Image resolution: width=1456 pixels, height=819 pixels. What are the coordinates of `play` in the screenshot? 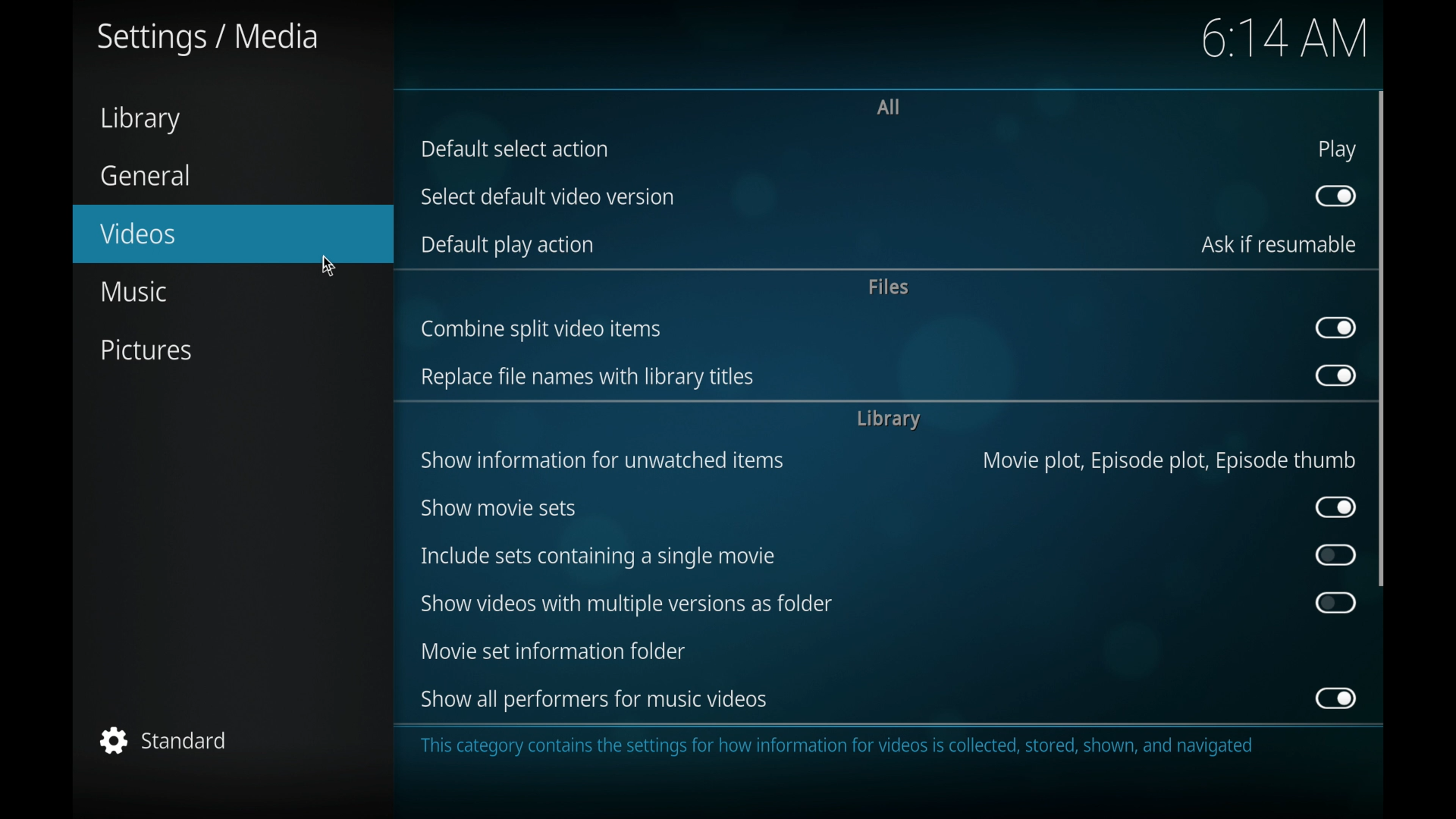 It's located at (1337, 150).